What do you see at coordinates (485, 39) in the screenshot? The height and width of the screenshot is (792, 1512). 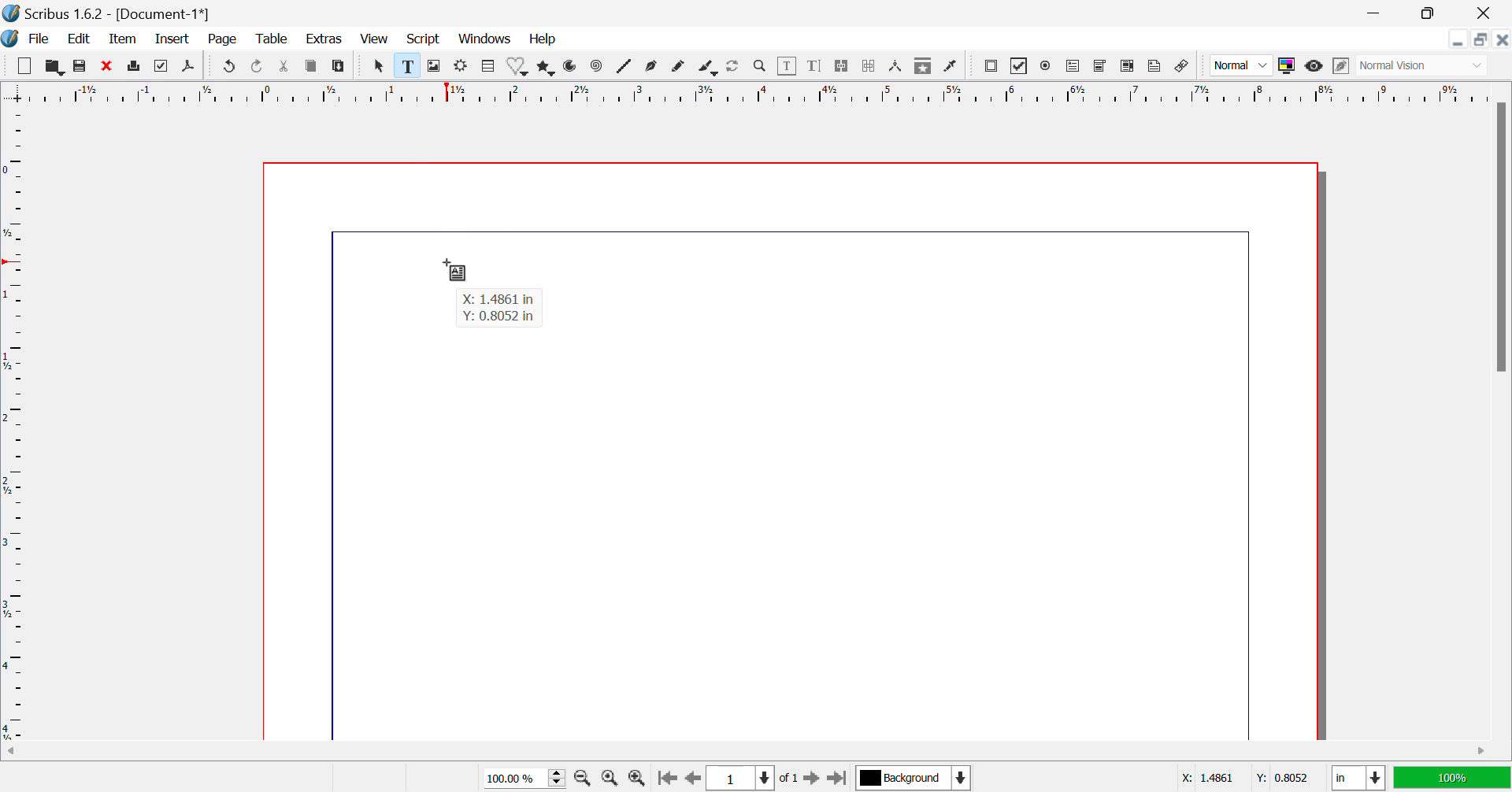 I see `Windows` at bounding box center [485, 39].